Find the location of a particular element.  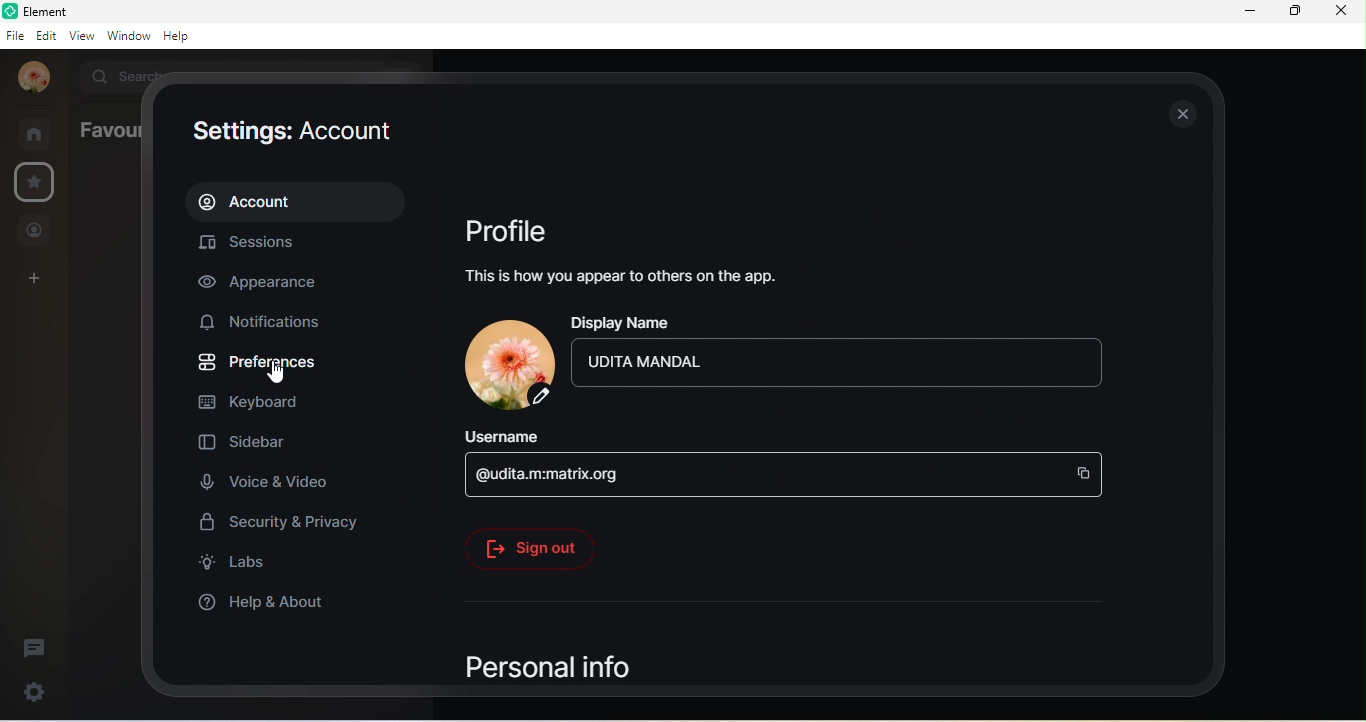

personal info is located at coordinates (584, 669).